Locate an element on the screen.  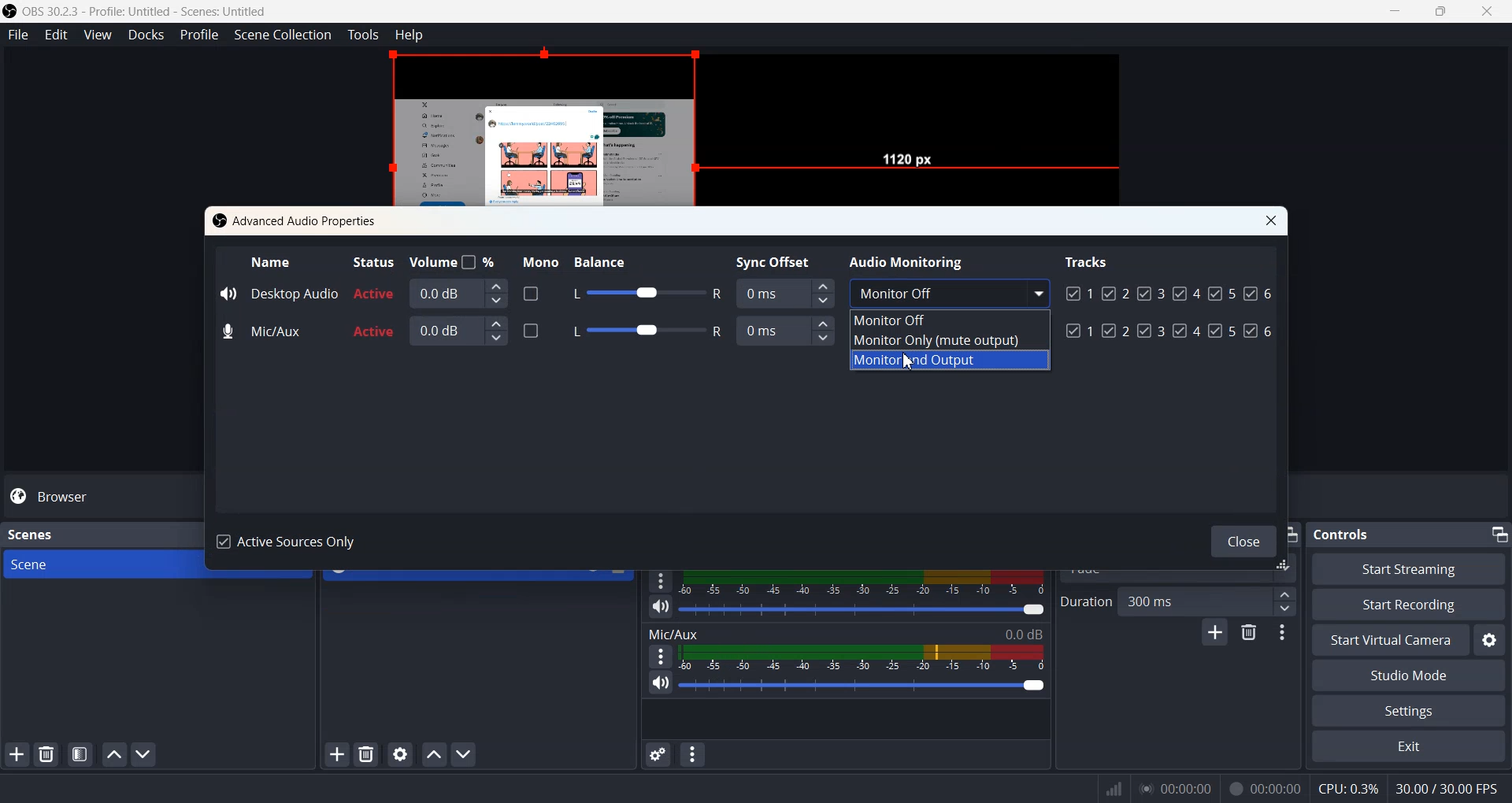
Signals is located at coordinates (1109, 789).